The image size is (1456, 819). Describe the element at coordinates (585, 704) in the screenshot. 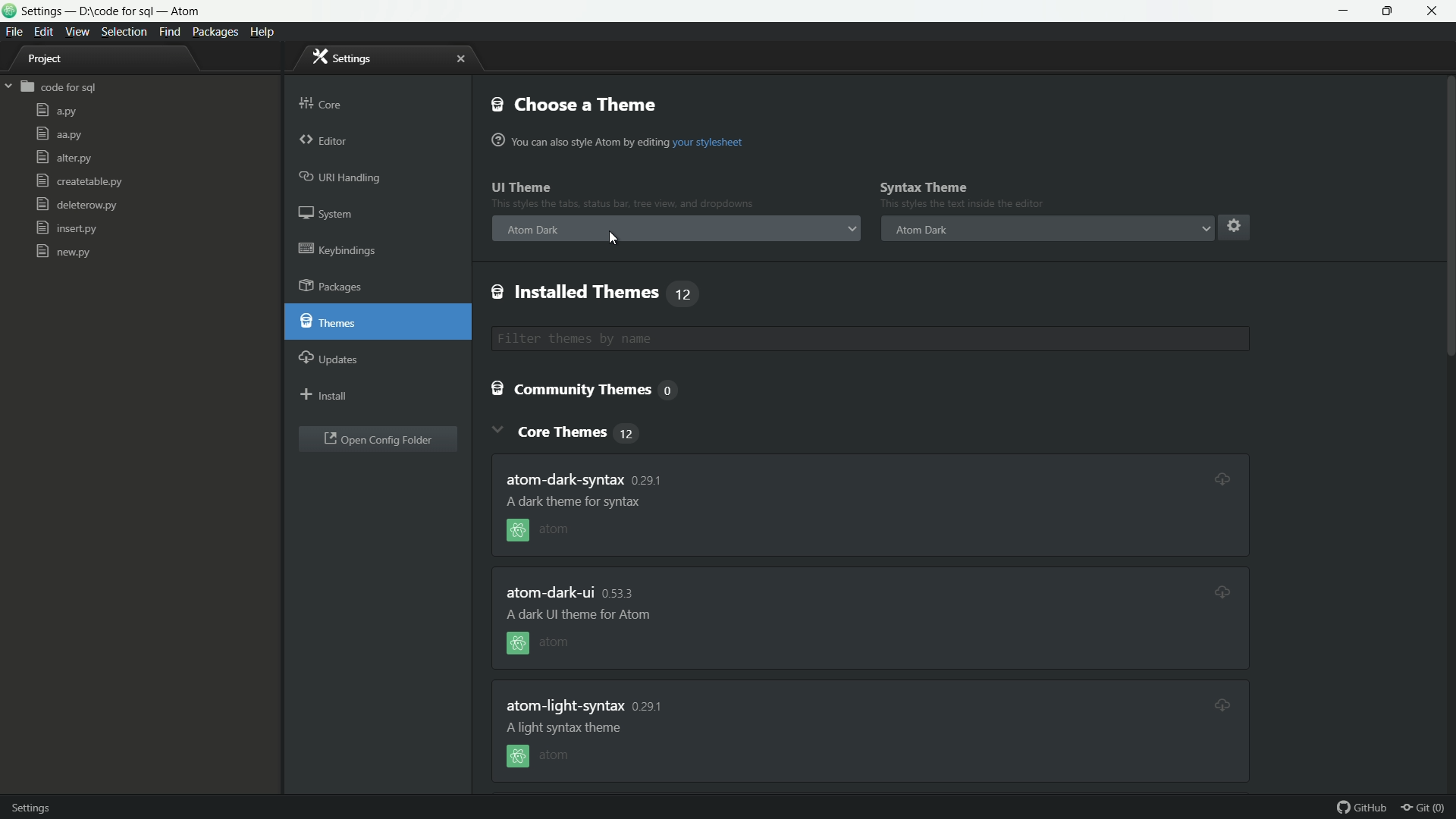

I see `atom light syntax` at that location.